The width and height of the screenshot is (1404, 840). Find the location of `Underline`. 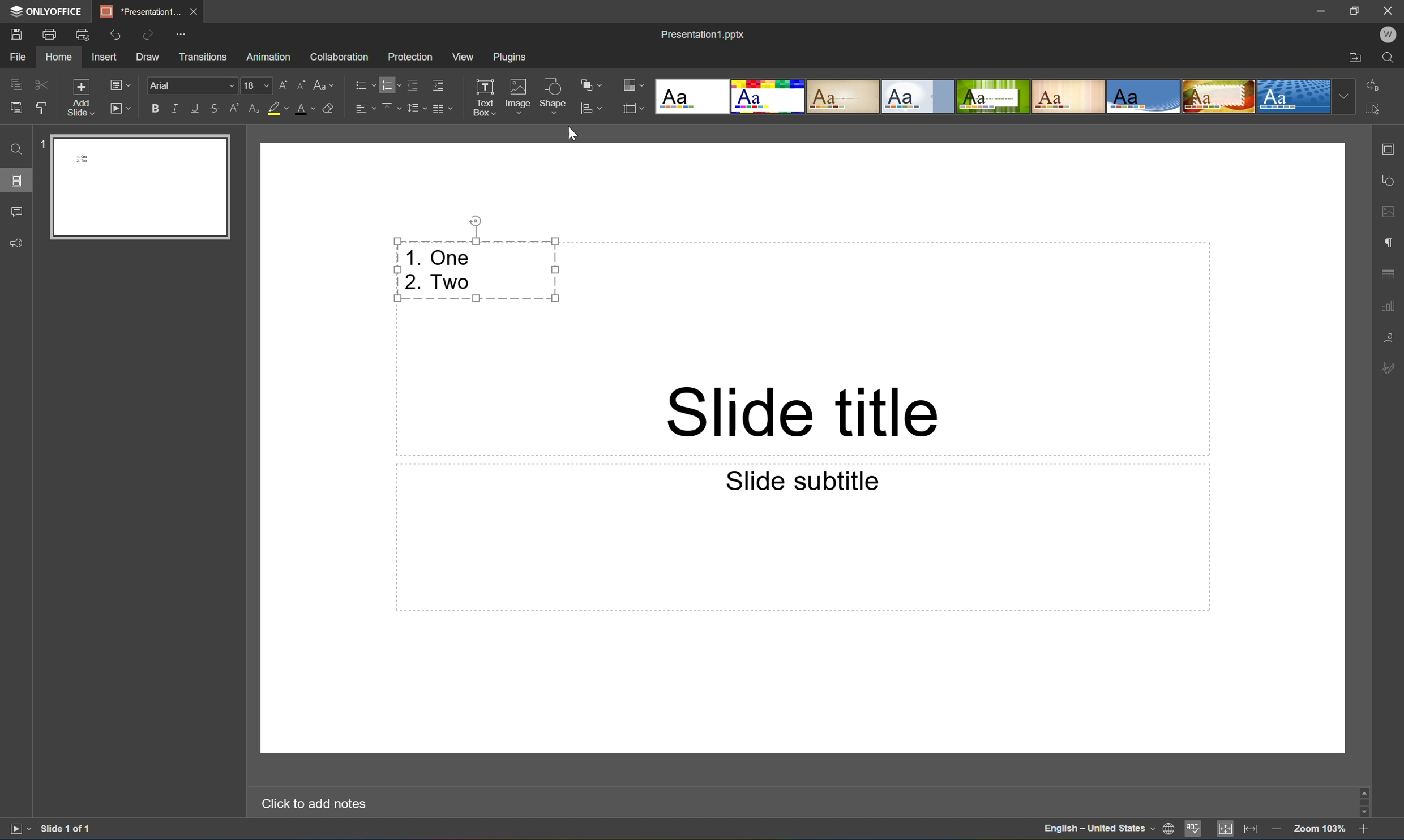

Underline is located at coordinates (198, 109).